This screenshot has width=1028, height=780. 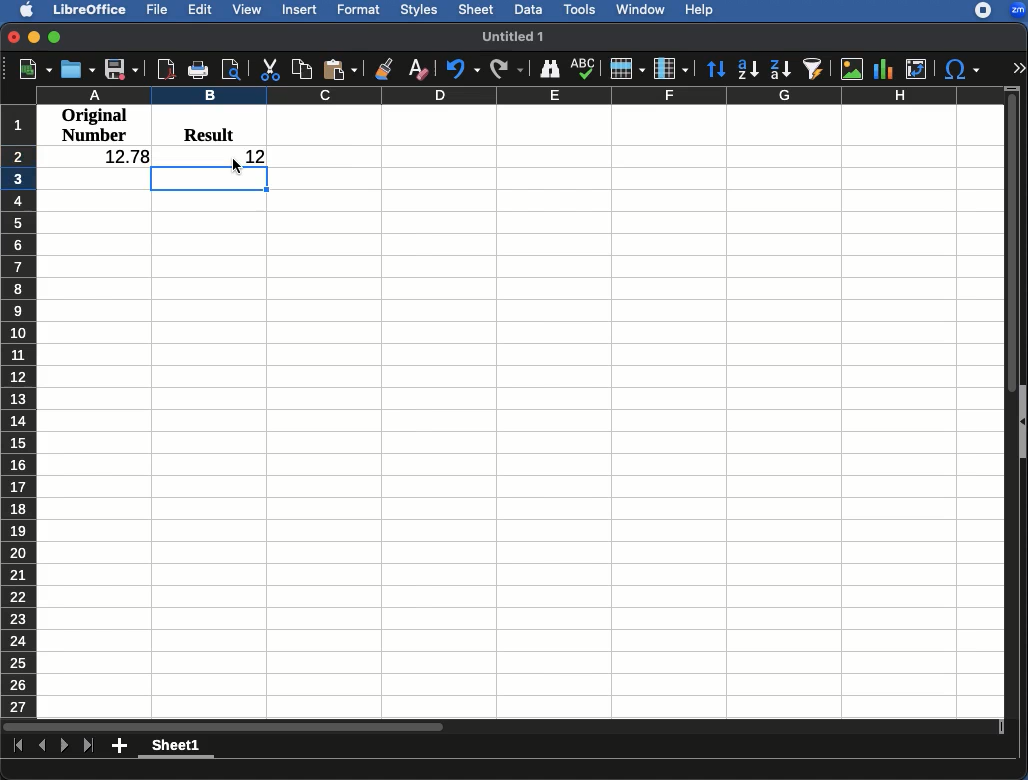 What do you see at coordinates (851, 69) in the screenshot?
I see `Image` at bounding box center [851, 69].